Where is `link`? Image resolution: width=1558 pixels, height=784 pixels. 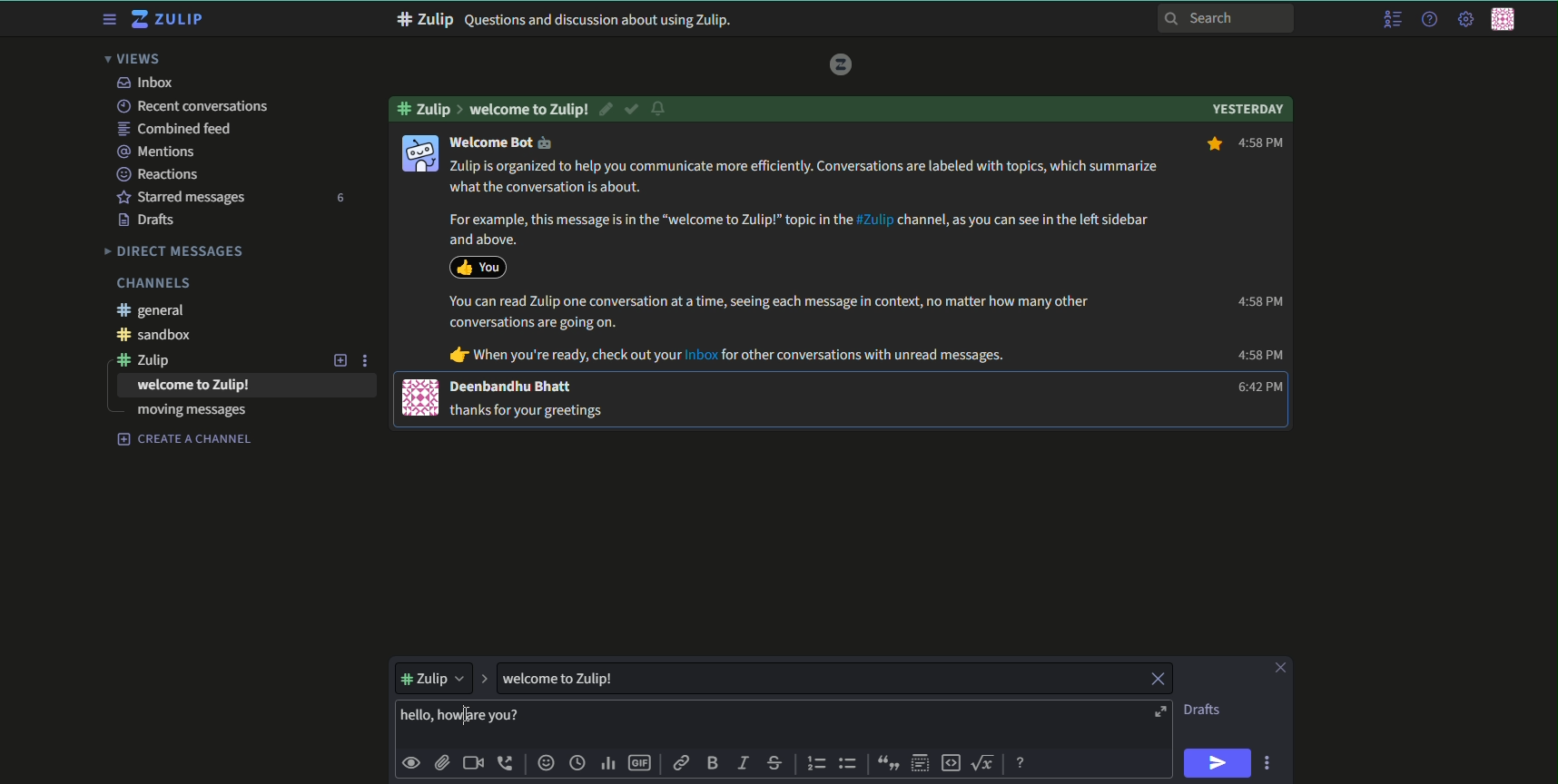
link is located at coordinates (683, 765).